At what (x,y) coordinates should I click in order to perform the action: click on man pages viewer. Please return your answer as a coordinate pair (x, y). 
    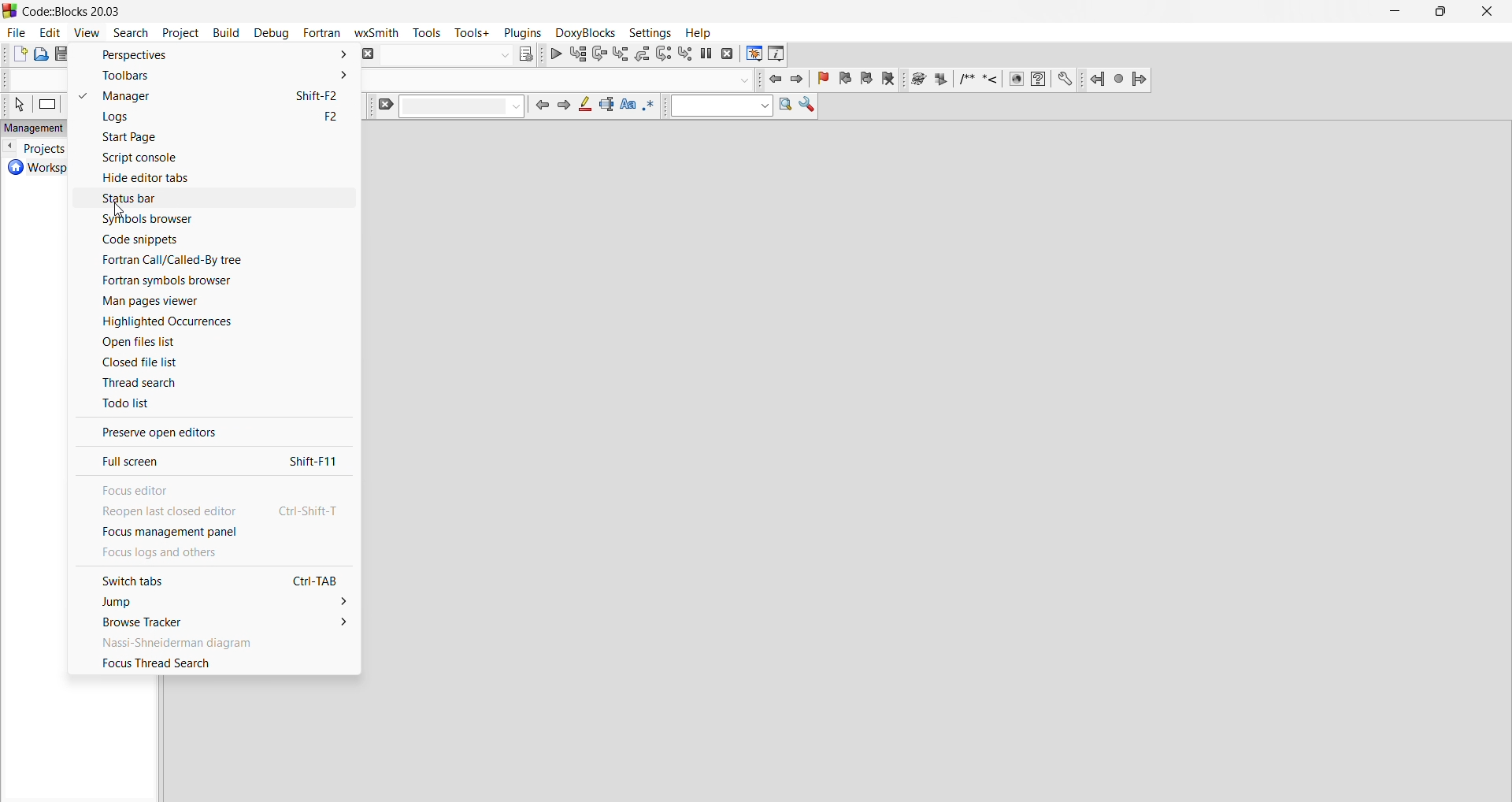
    Looking at the image, I should click on (213, 302).